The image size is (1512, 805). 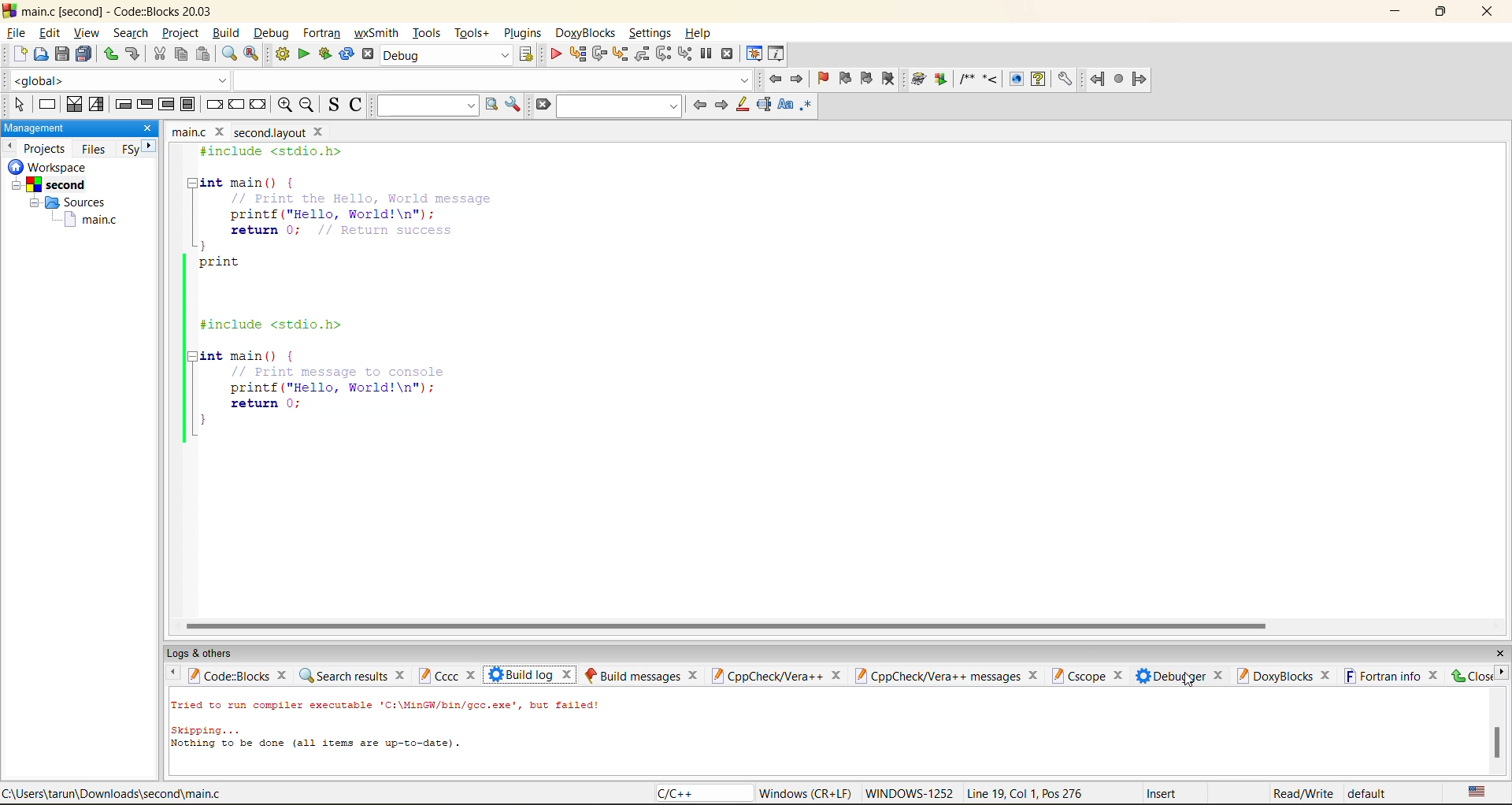 What do you see at coordinates (210, 105) in the screenshot?
I see `break instruction` at bounding box center [210, 105].